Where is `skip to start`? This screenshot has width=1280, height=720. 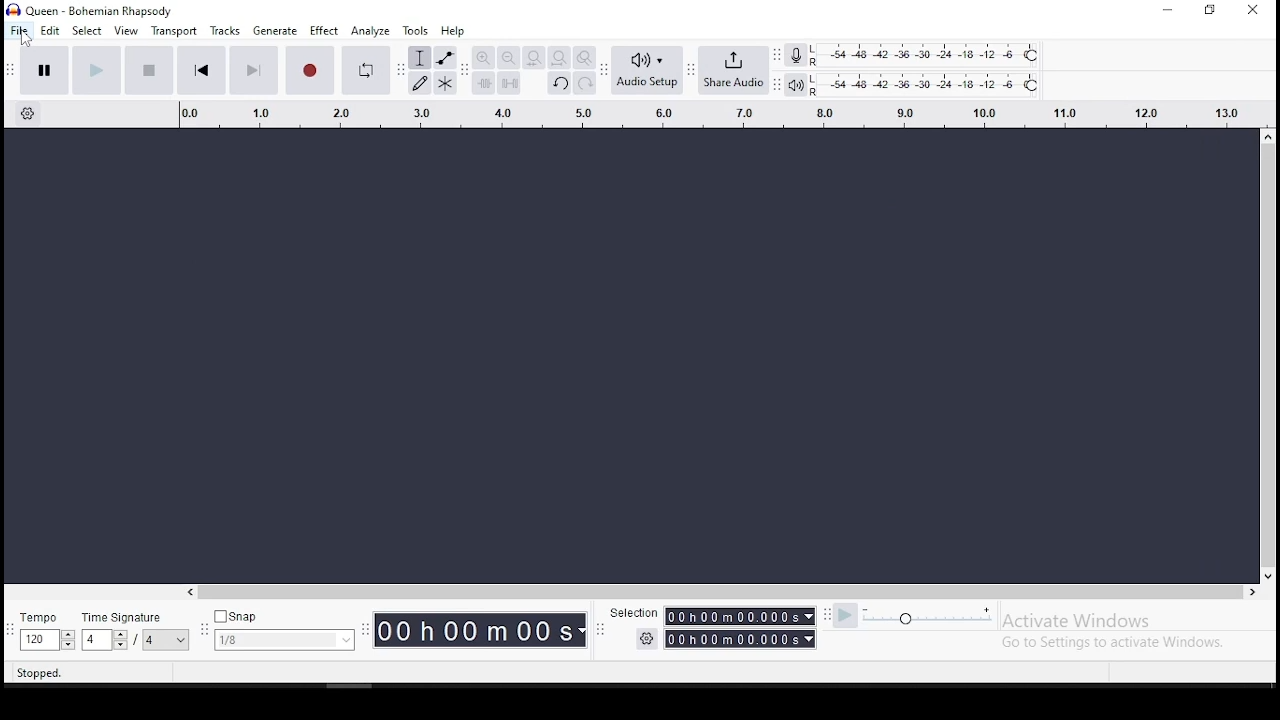 skip to start is located at coordinates (202, 72).